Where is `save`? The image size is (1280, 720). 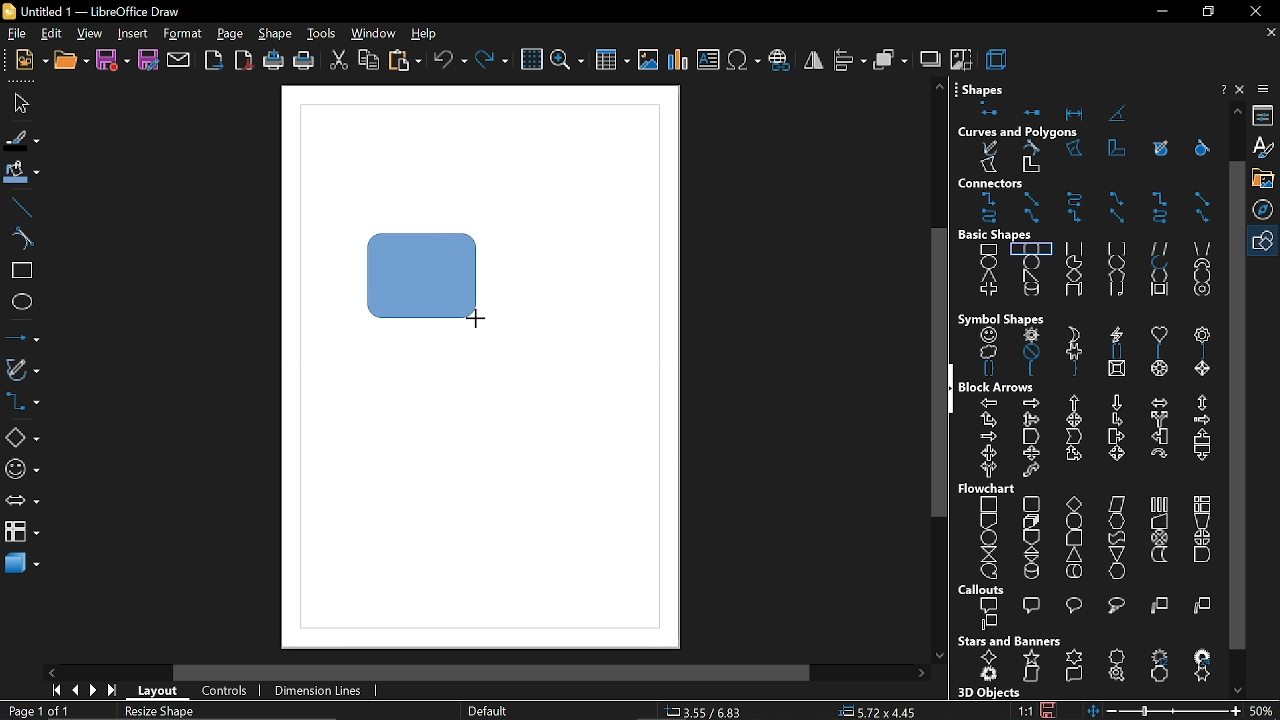
save is located at coordinates (112, 61).